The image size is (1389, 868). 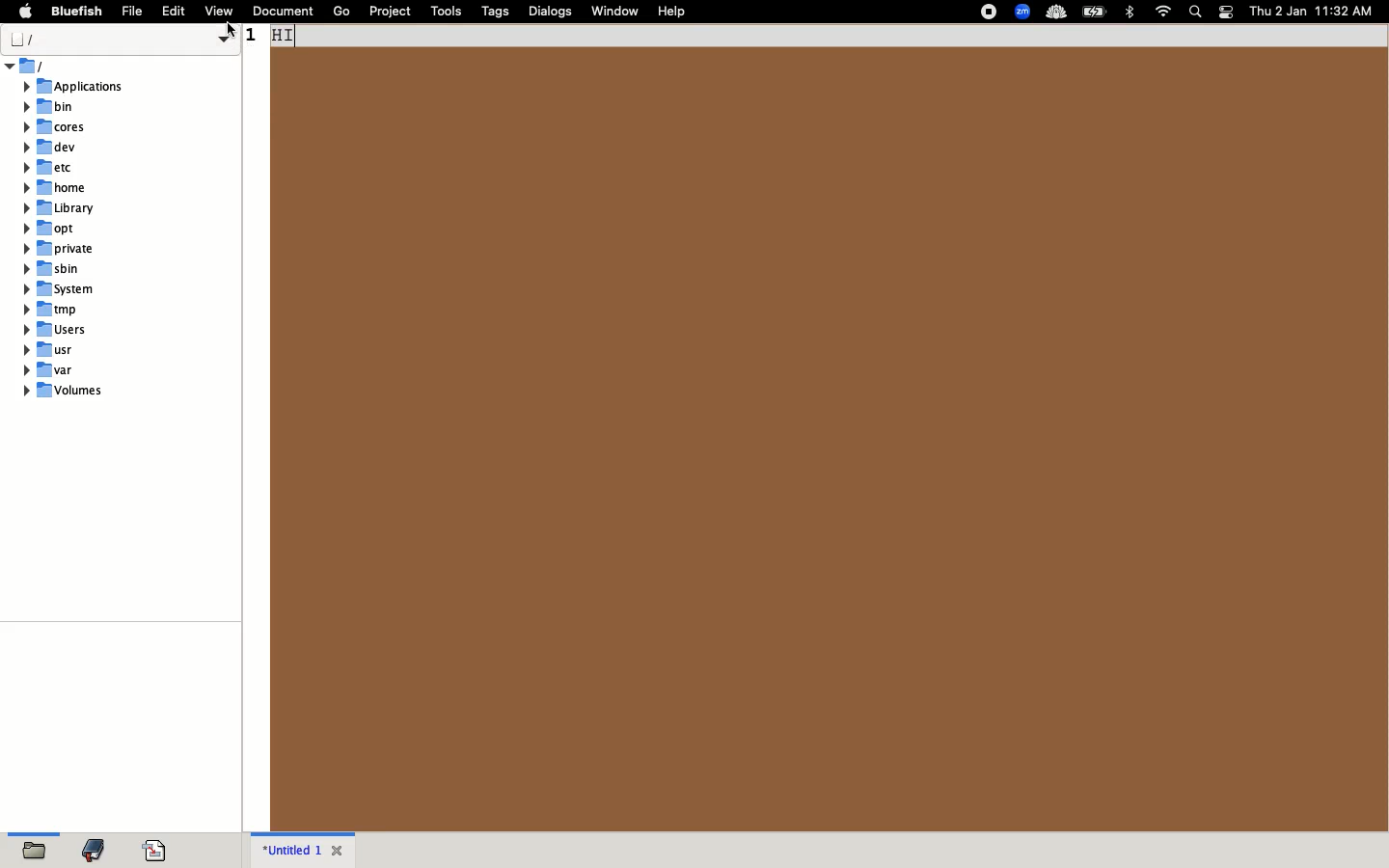 I want to click on editor space, so click(x=830, y=438).